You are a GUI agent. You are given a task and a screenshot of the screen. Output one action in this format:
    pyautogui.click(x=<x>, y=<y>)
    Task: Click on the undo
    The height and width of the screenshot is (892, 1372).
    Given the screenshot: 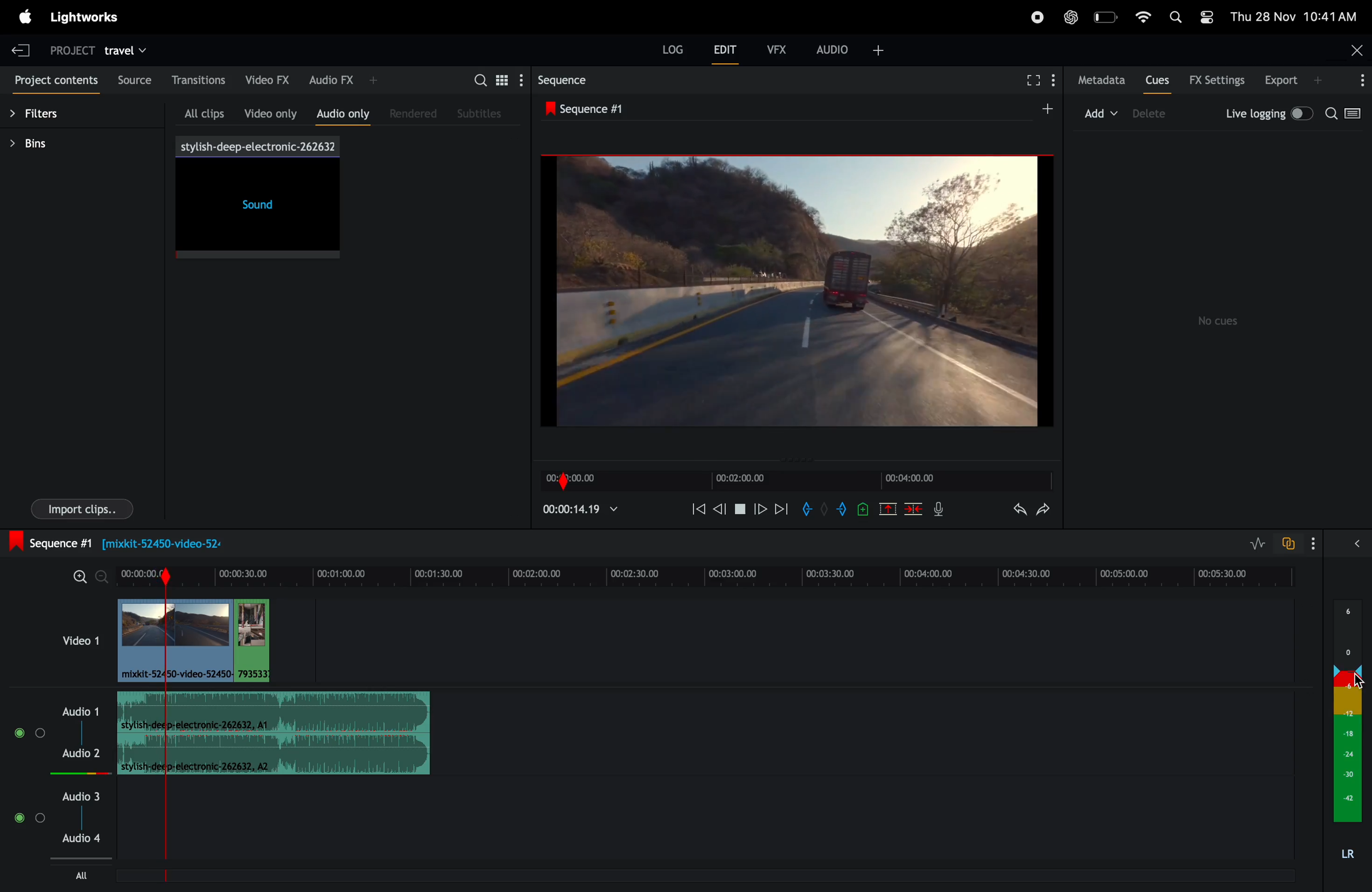 What is the action you would take?
    pyautogui.click(x=1011, y=510)
    